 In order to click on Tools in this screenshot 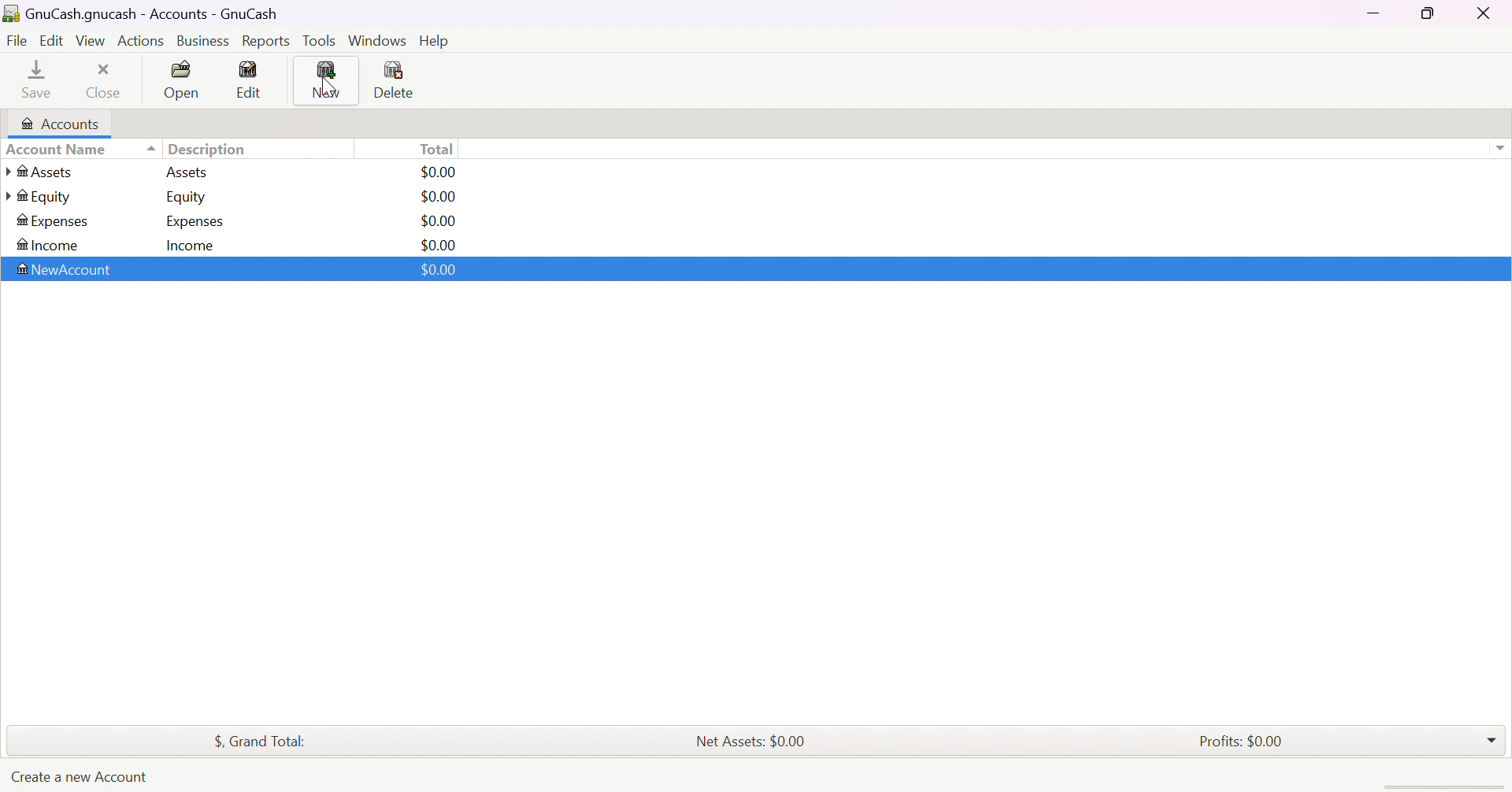, I will do `click(321, 41)`.